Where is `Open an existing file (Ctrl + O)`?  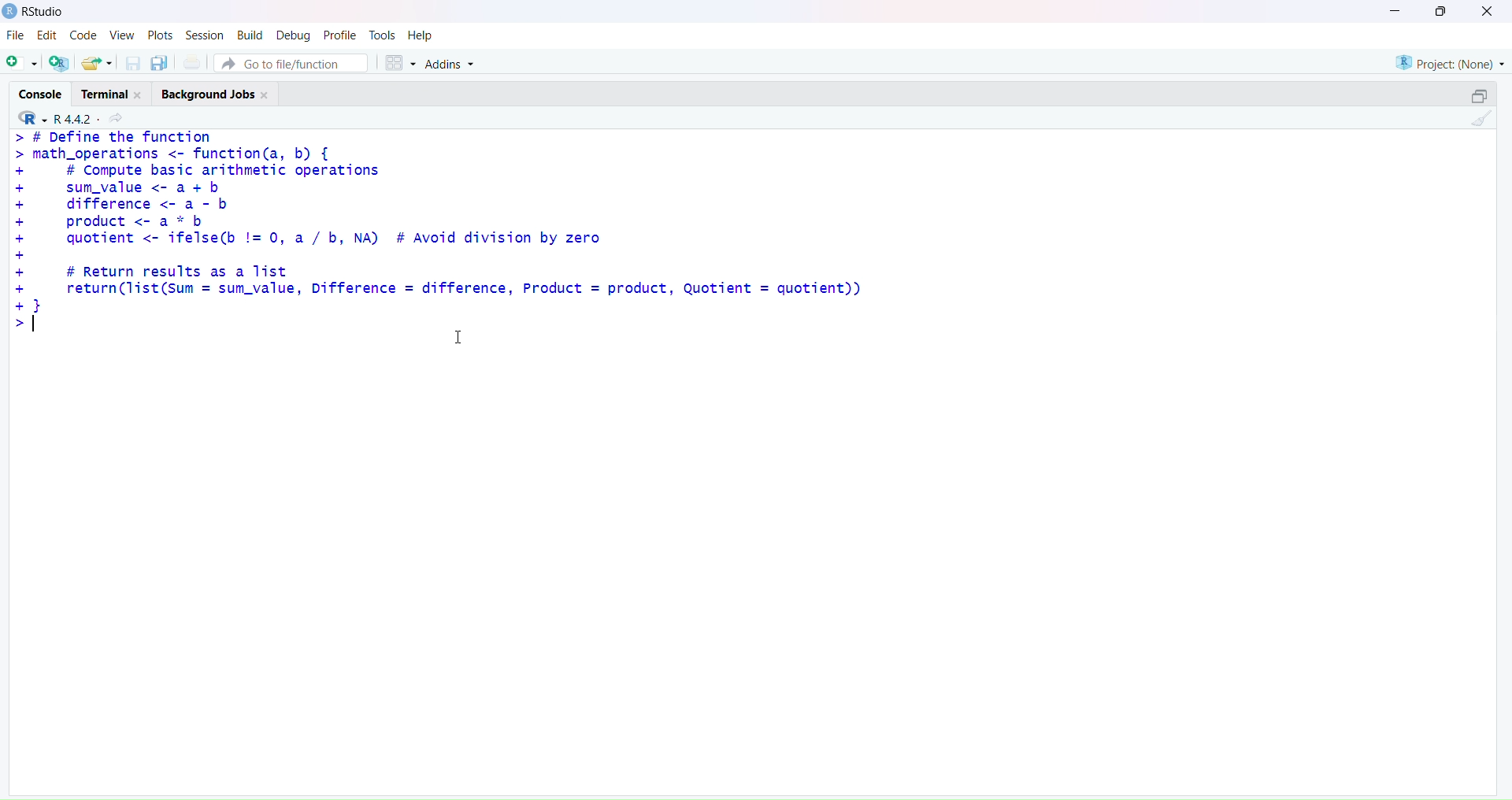 Open an existing file (Ctrl + O) is located at coordinates (96, 63).